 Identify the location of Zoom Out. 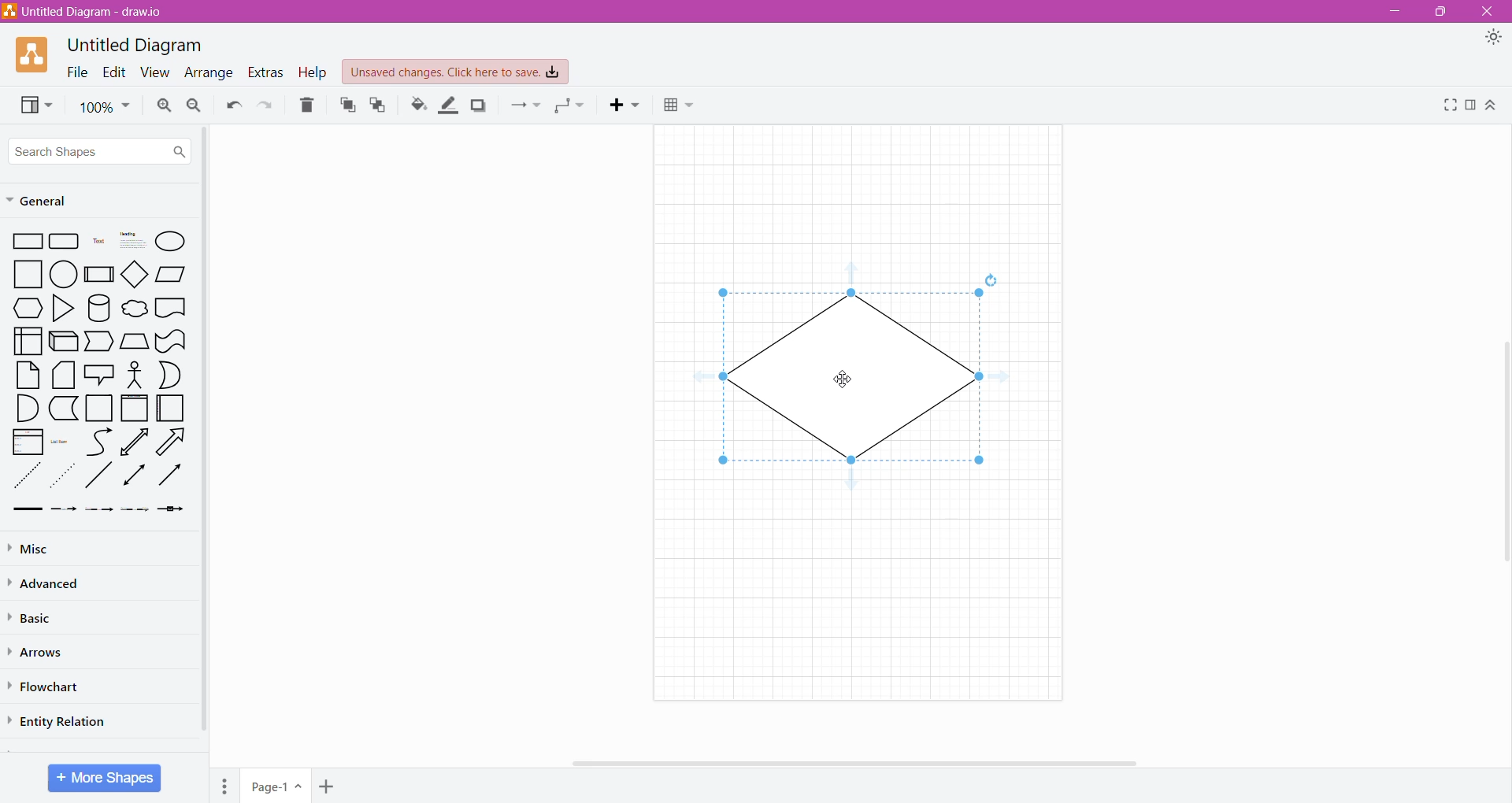
(195, 105).